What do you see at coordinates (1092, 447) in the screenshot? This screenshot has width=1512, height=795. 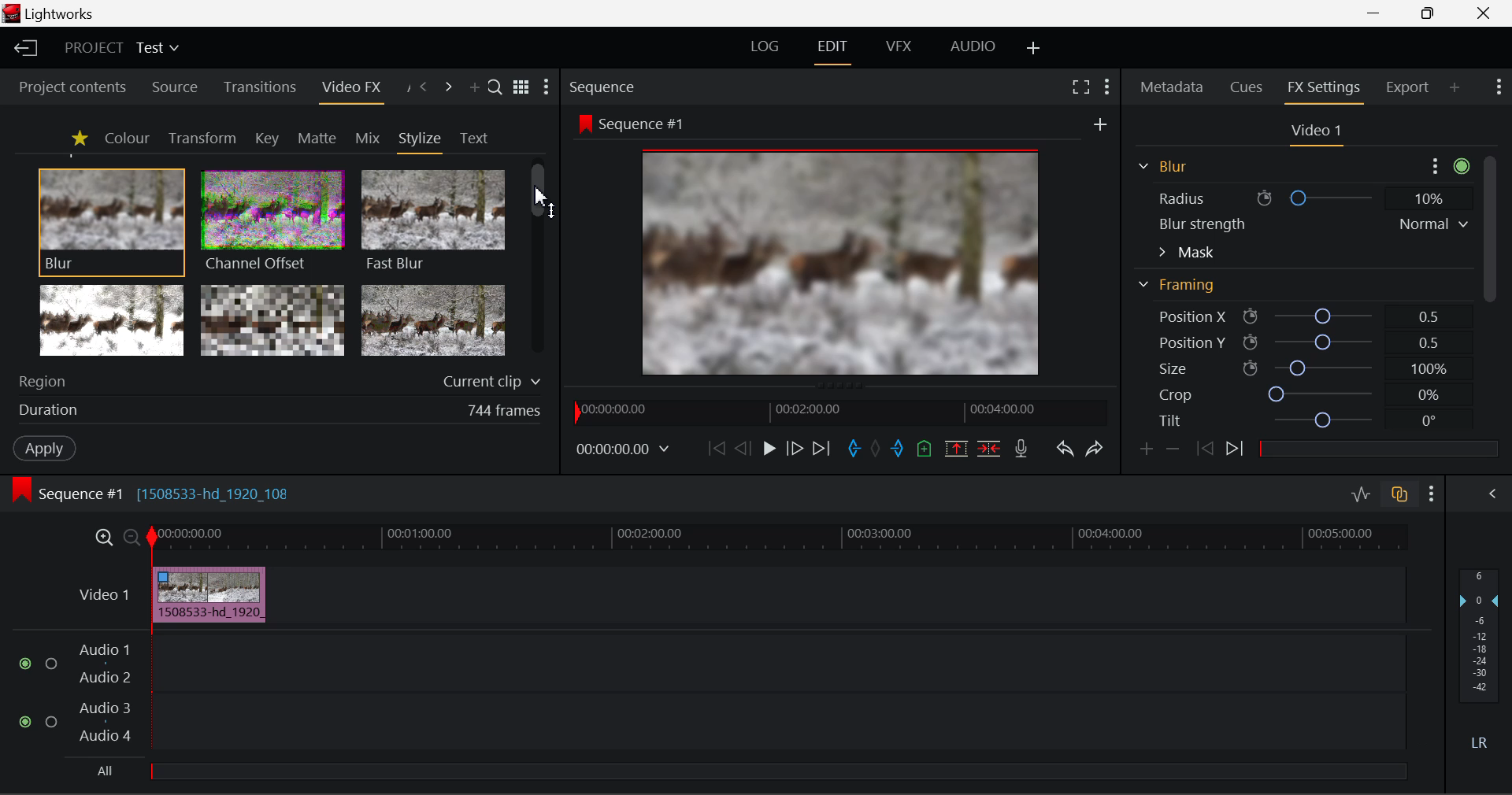 I see `Redo` at bounding box center [1092, 447].